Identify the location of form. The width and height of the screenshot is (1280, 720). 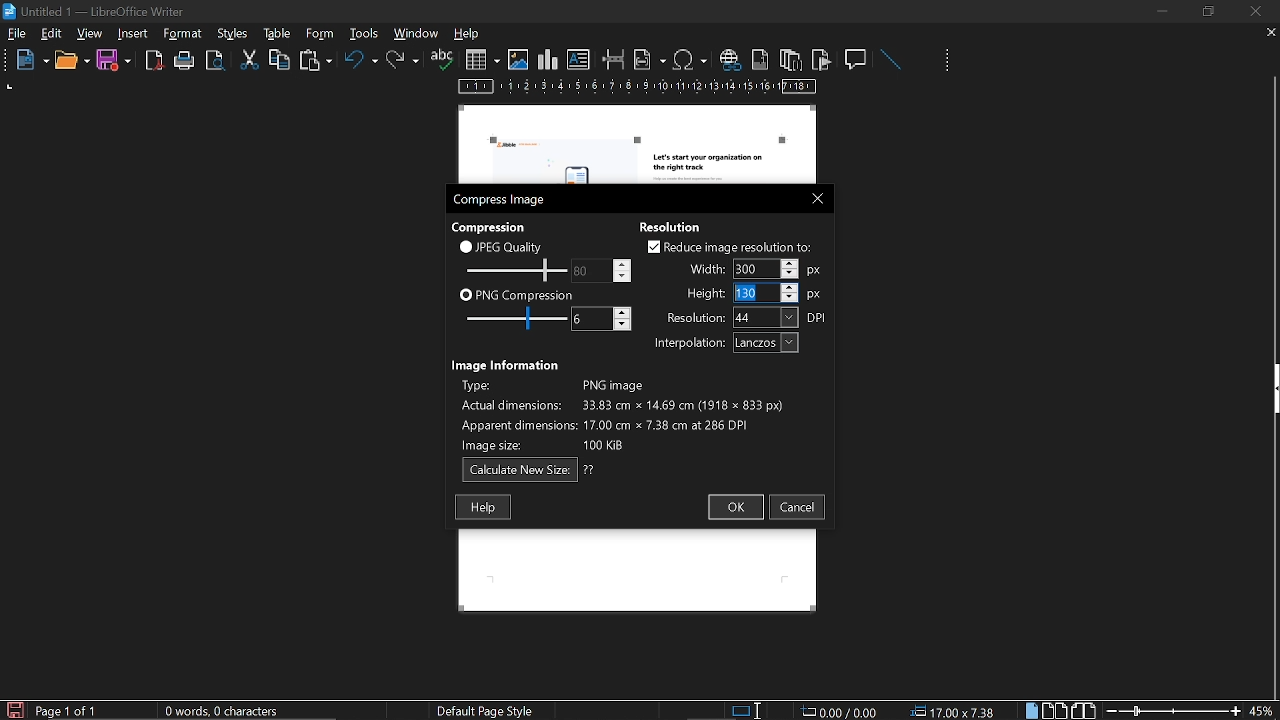
(366, 33).